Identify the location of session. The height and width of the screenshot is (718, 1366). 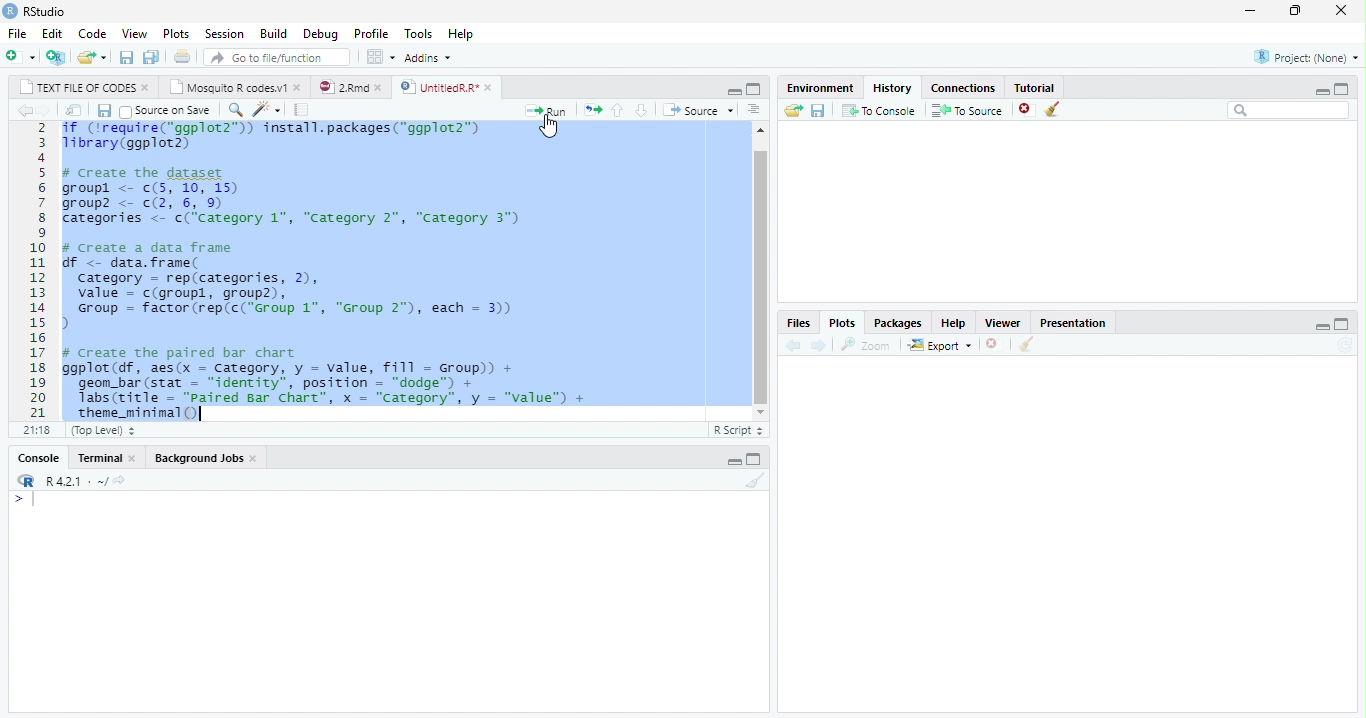
(222, 33).